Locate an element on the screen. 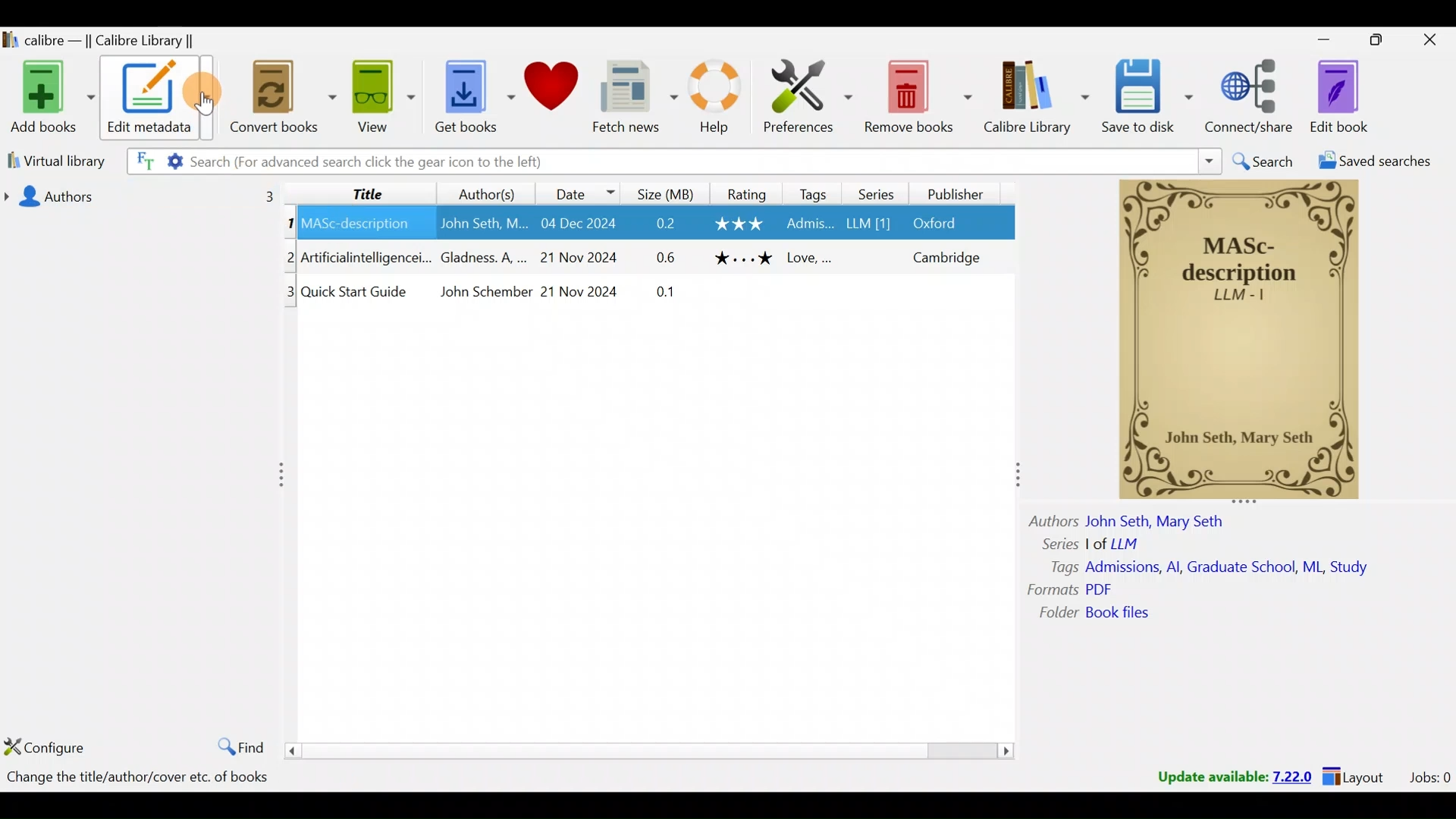 This screenshot has width=1456, height=819.  is located at coordinates (587, 291).